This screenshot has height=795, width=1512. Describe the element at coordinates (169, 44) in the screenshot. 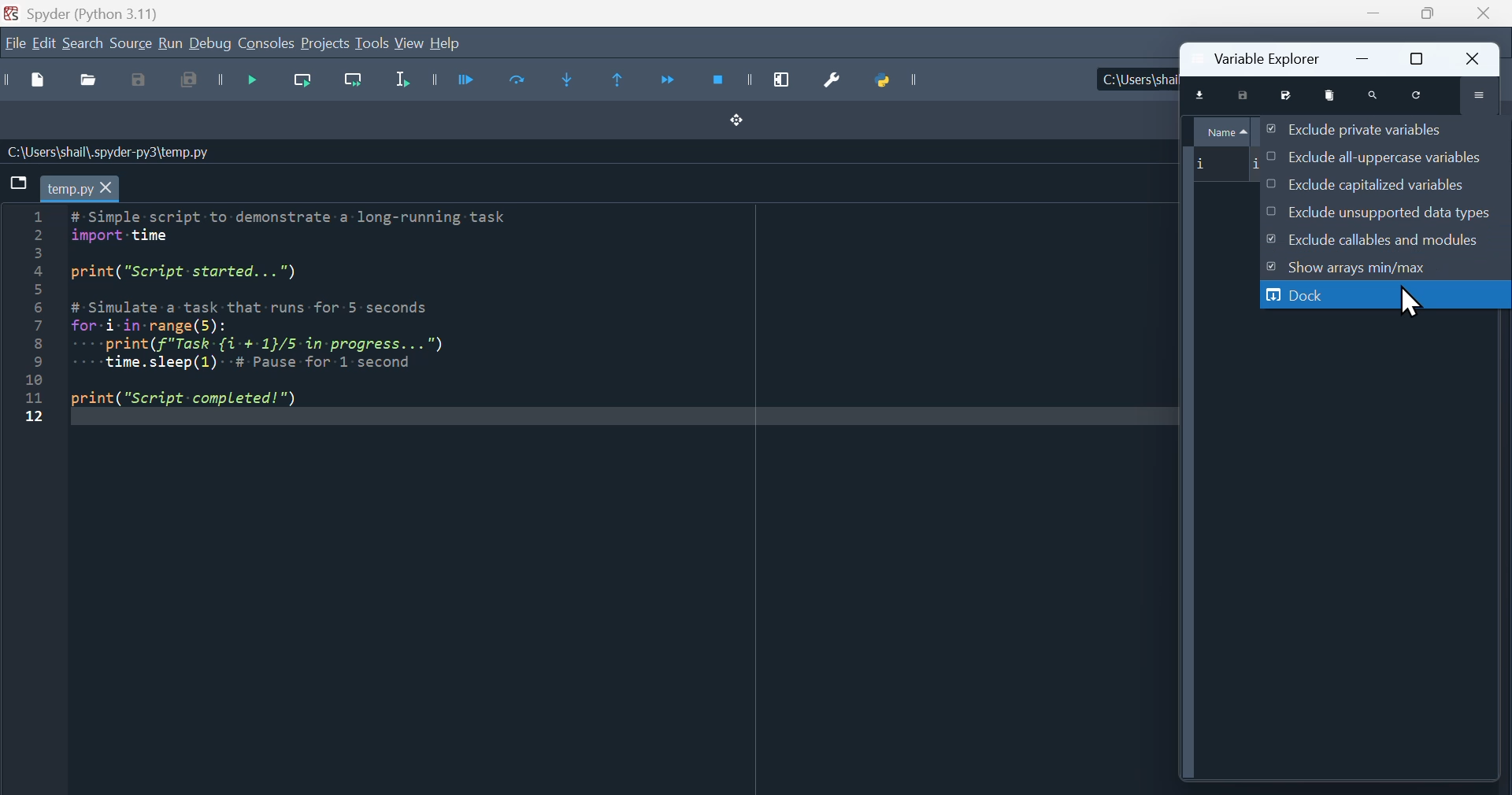

I see `run` at that location.